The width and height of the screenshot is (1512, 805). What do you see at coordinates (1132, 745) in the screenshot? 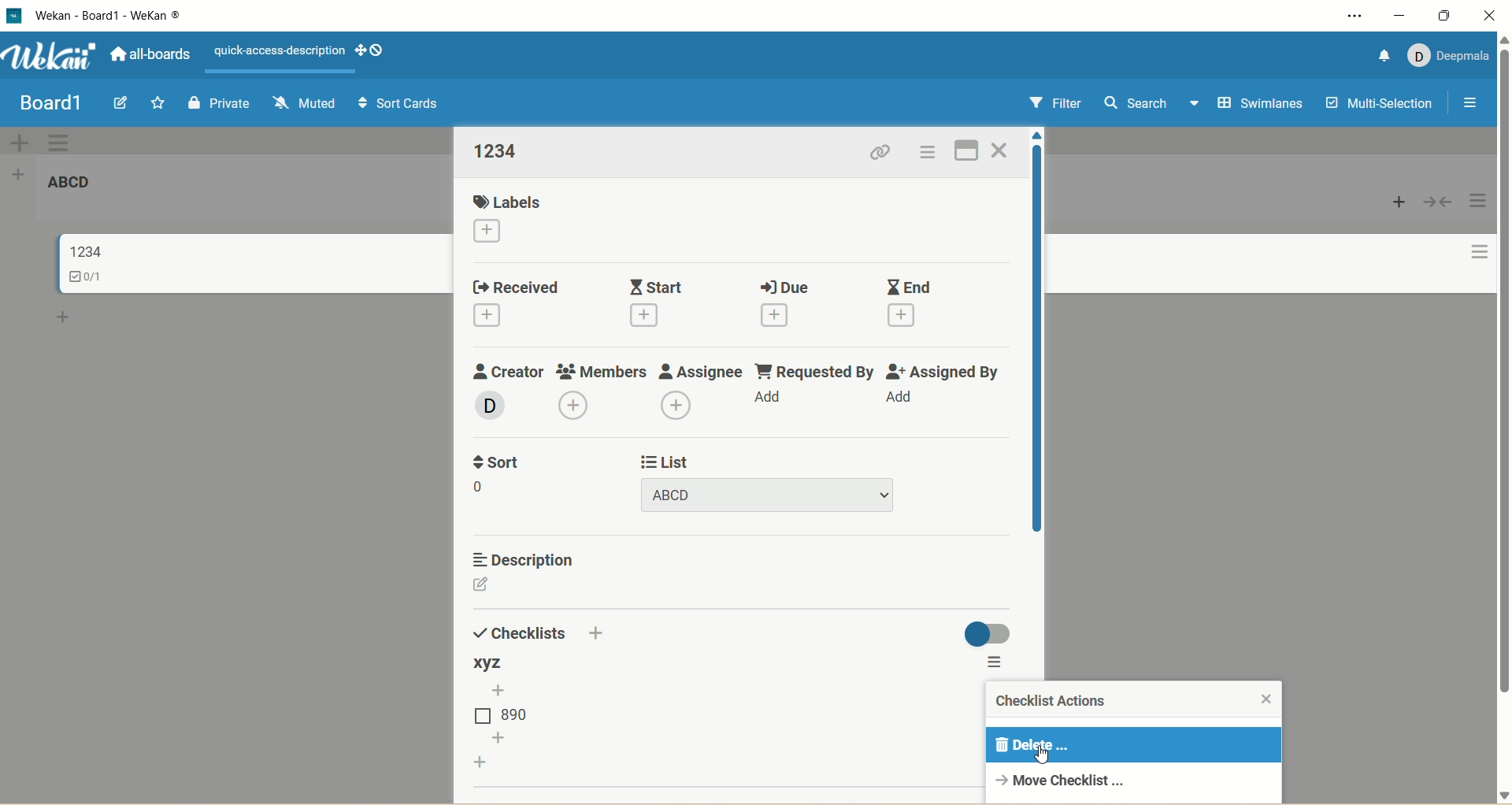
I see `delete` at bounding box center [1132, 745].